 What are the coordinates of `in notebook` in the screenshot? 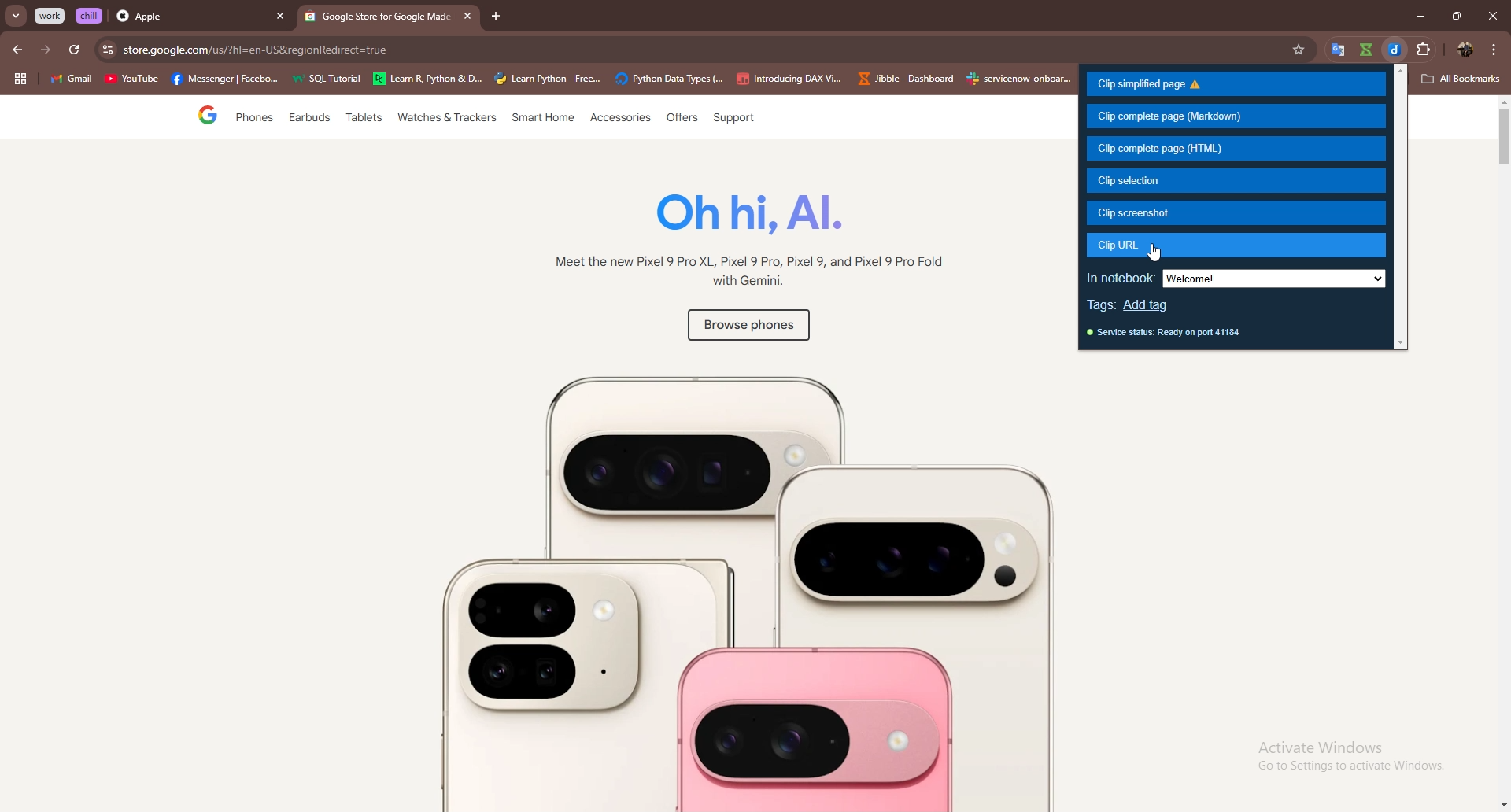 It's located at (1121, 278).